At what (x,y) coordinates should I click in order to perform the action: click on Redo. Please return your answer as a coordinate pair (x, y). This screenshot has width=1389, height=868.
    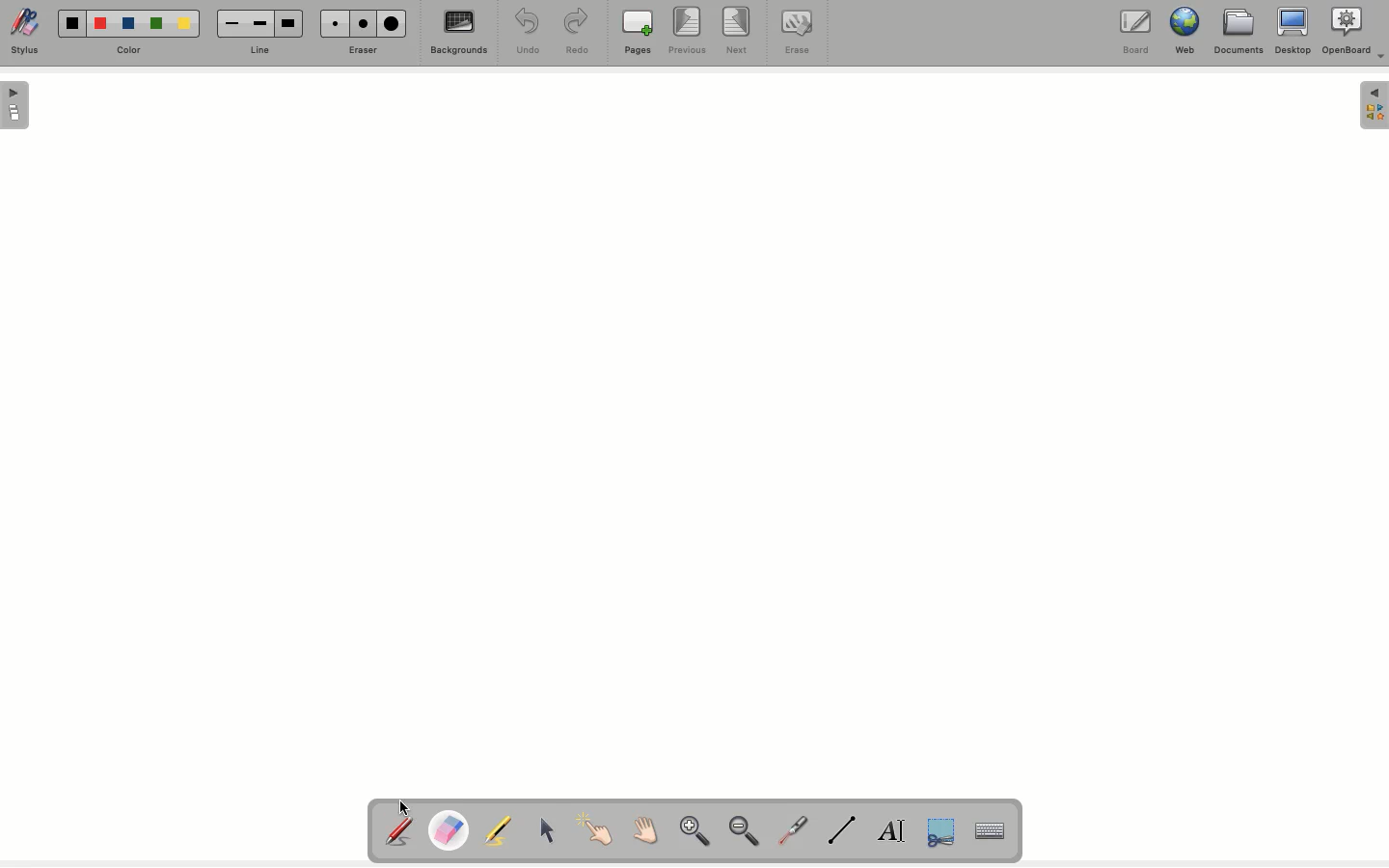
    Looking at the image, I should click on (579, 34).